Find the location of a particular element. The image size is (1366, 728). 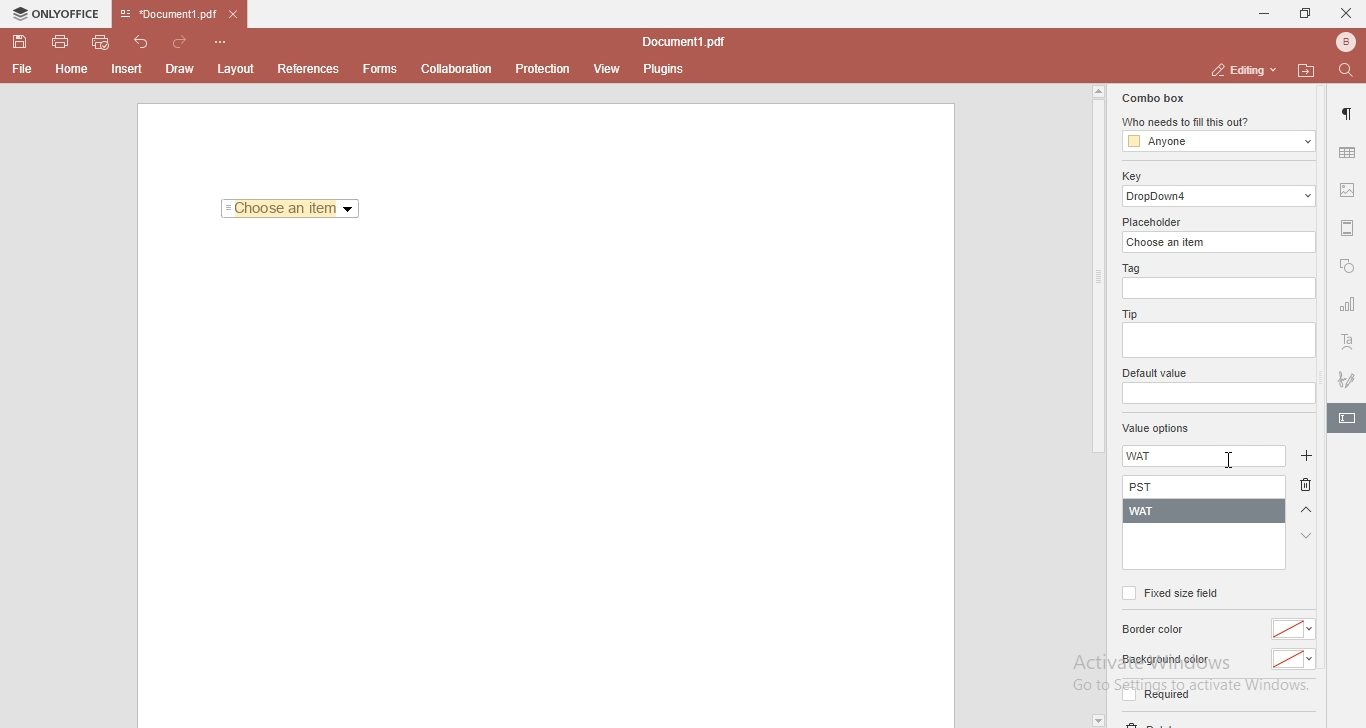

paragraph is located at coordinates (1349, 114).